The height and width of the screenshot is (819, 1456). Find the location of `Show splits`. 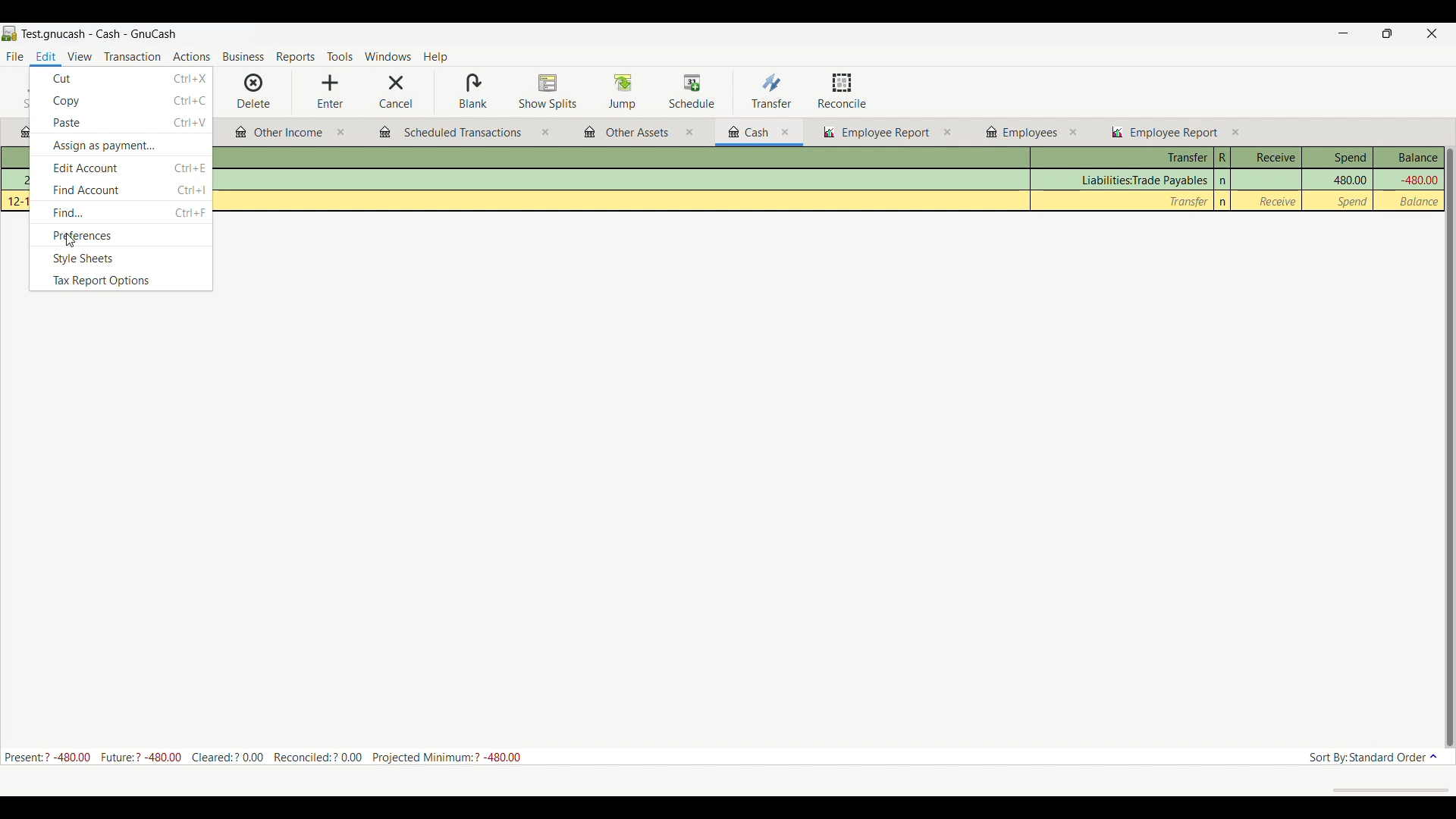

Show splits is located at coordinates (548, 91).